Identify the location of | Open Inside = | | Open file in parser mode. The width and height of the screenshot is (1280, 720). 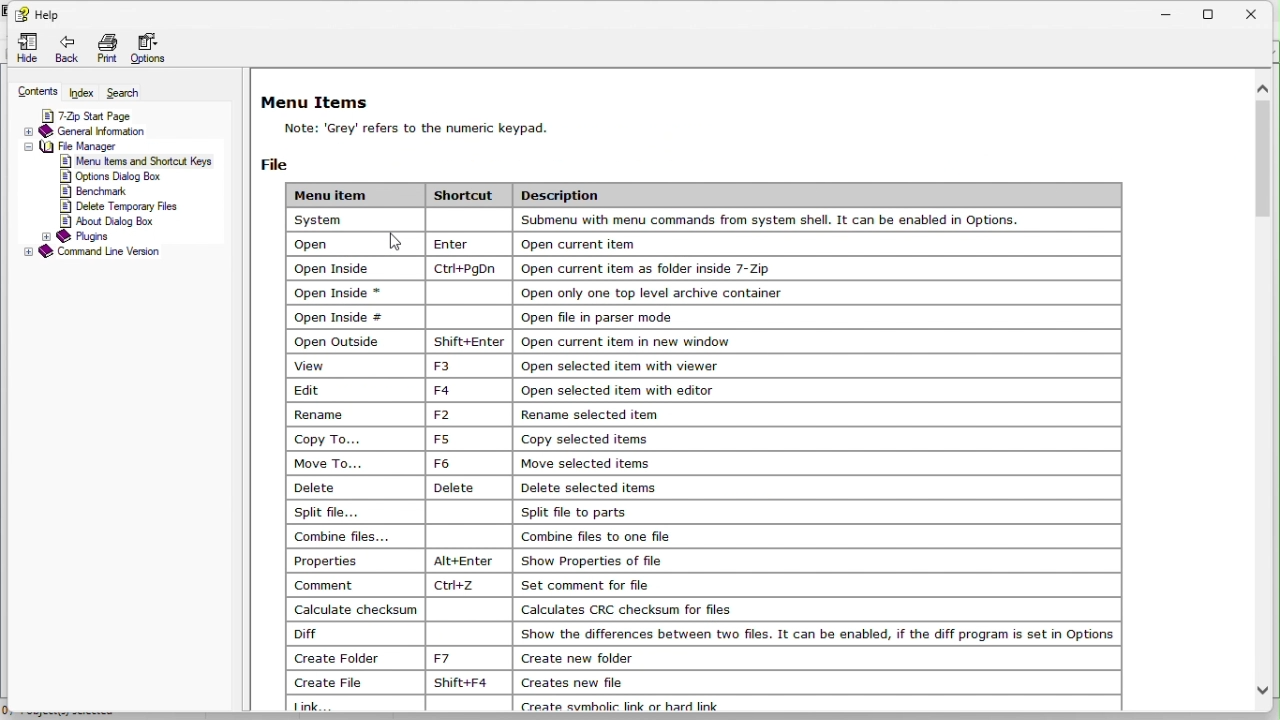
(488, 314).